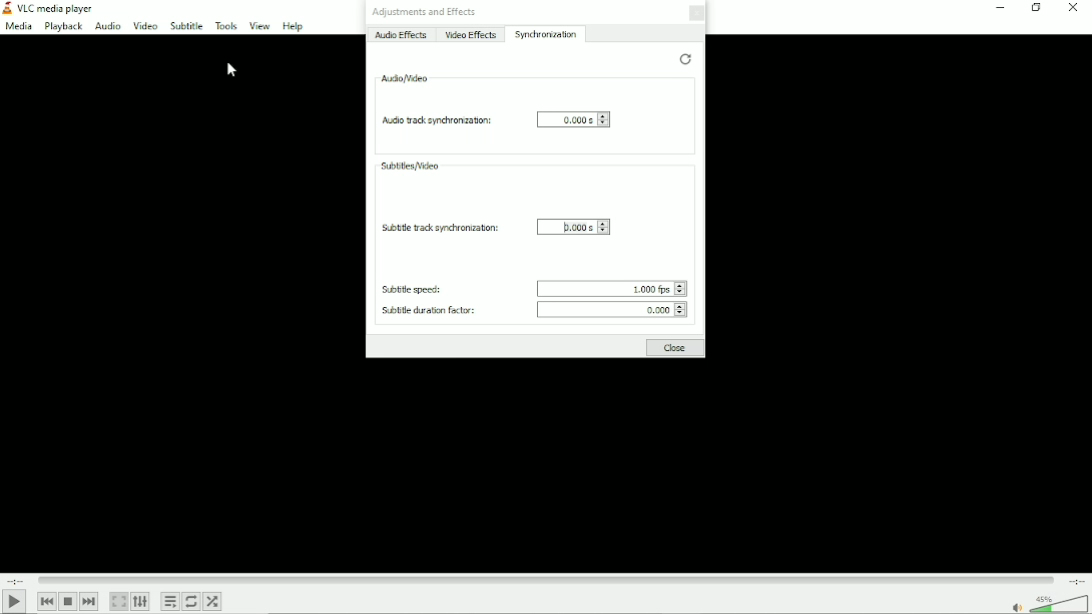 The height and width of the screenshot is (614, 1092). I want to click on Toggle between loop all, loop one and no loop, so click(190, 601).